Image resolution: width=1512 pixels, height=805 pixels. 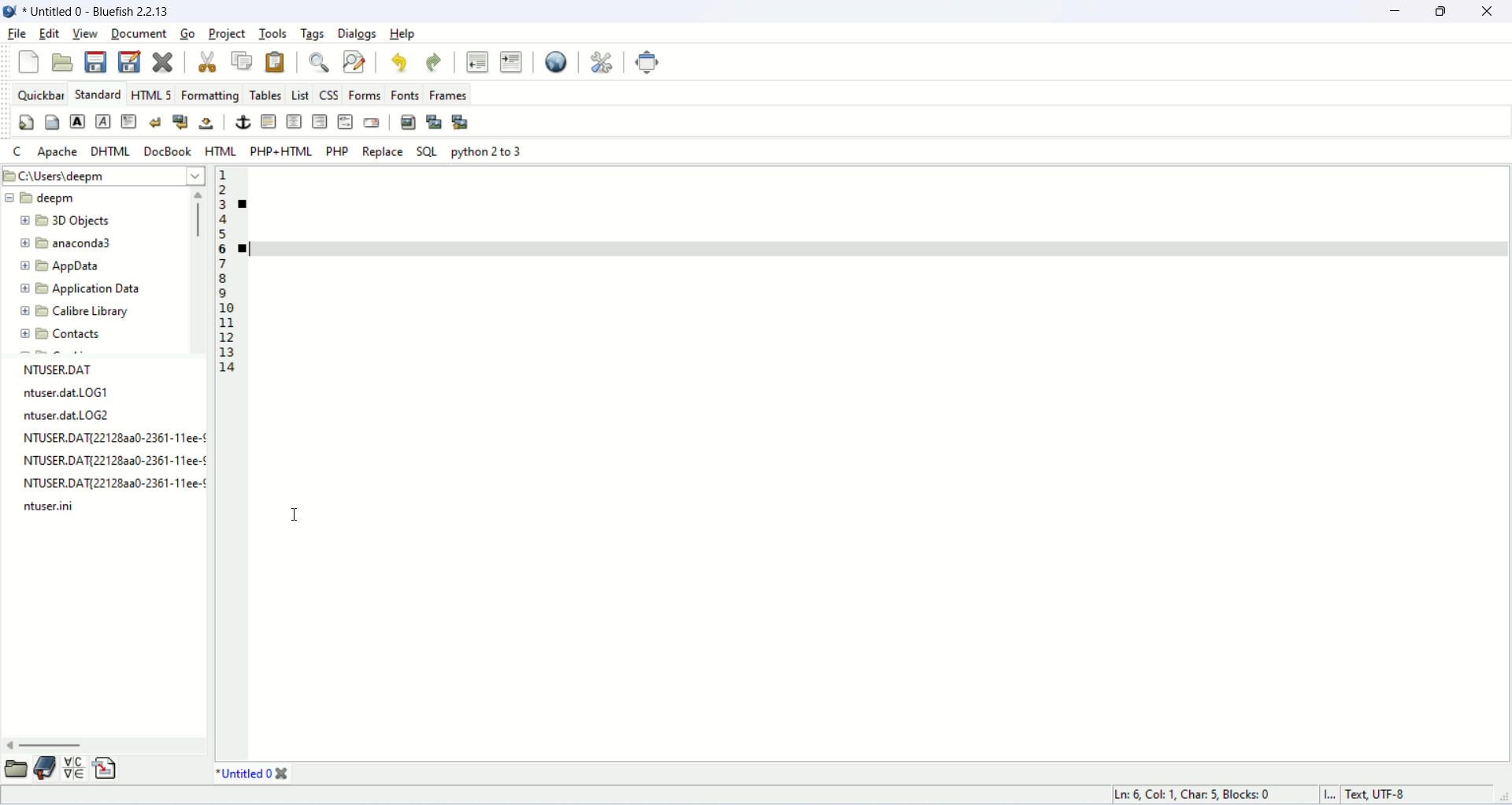 I want to click on html comment, so click(x=345, y=122).